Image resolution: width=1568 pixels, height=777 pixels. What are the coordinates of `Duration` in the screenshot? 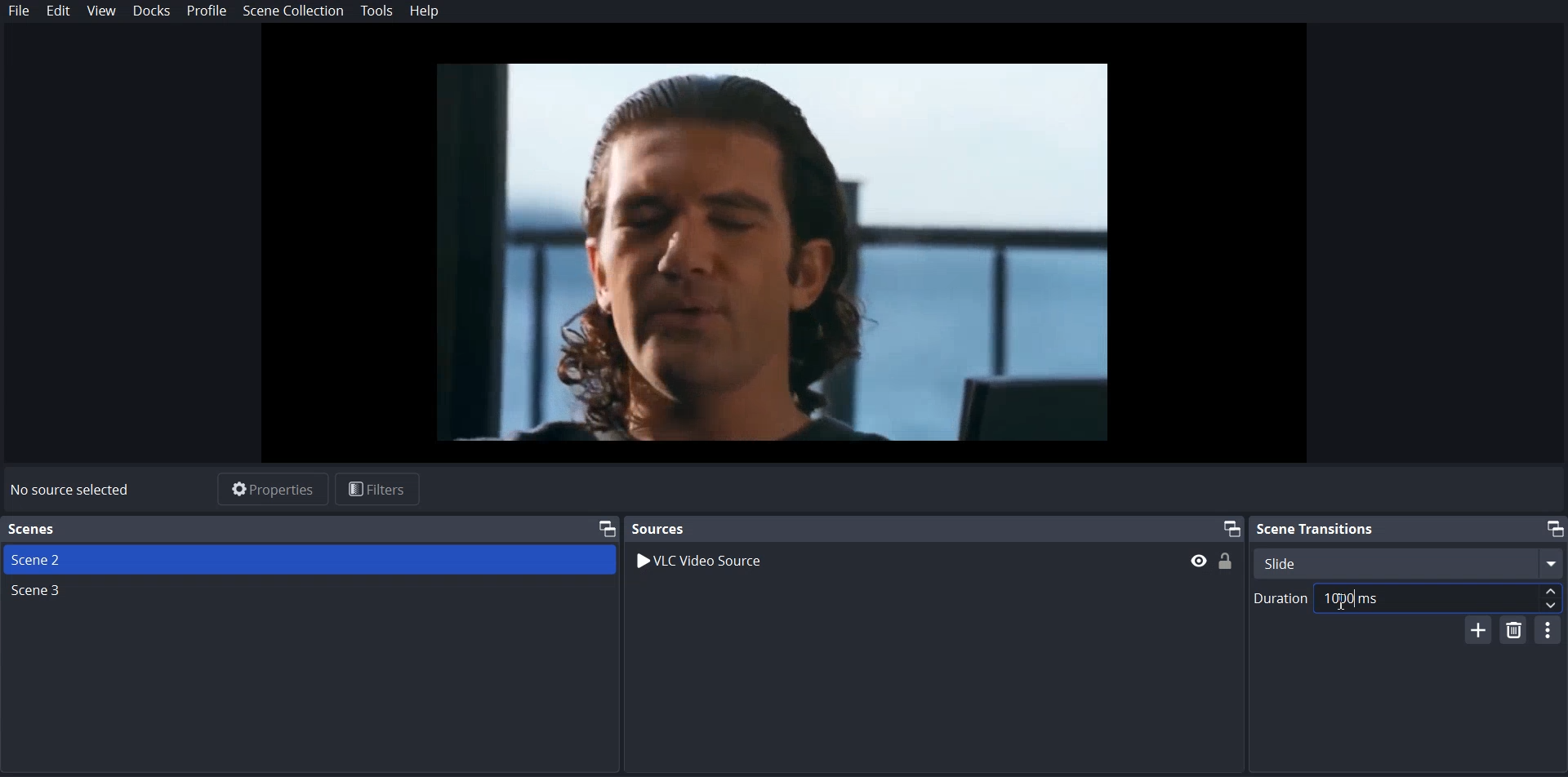 It's located at (1407, 600).